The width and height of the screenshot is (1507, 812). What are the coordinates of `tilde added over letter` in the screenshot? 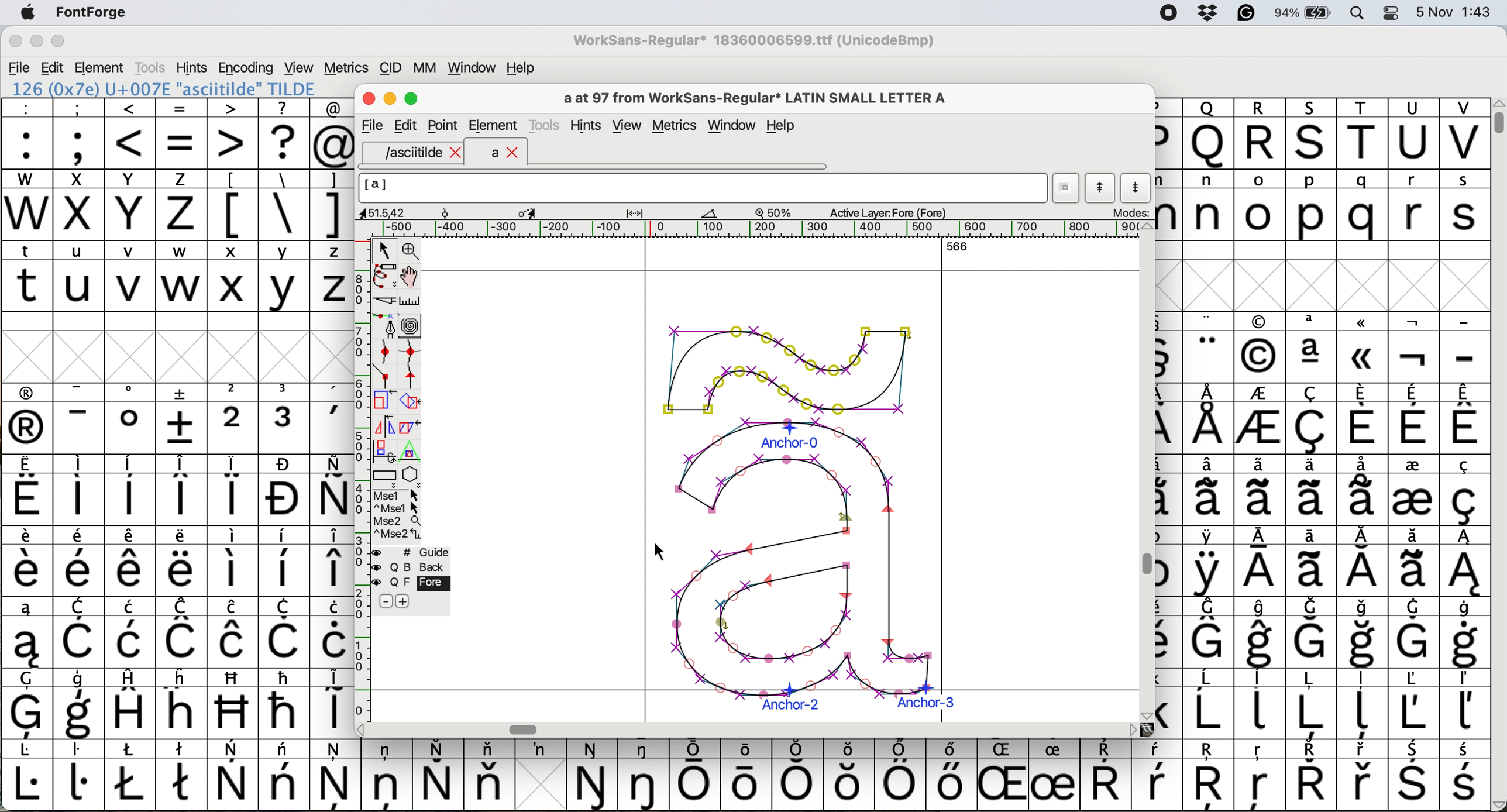 It's located at (810, 510).